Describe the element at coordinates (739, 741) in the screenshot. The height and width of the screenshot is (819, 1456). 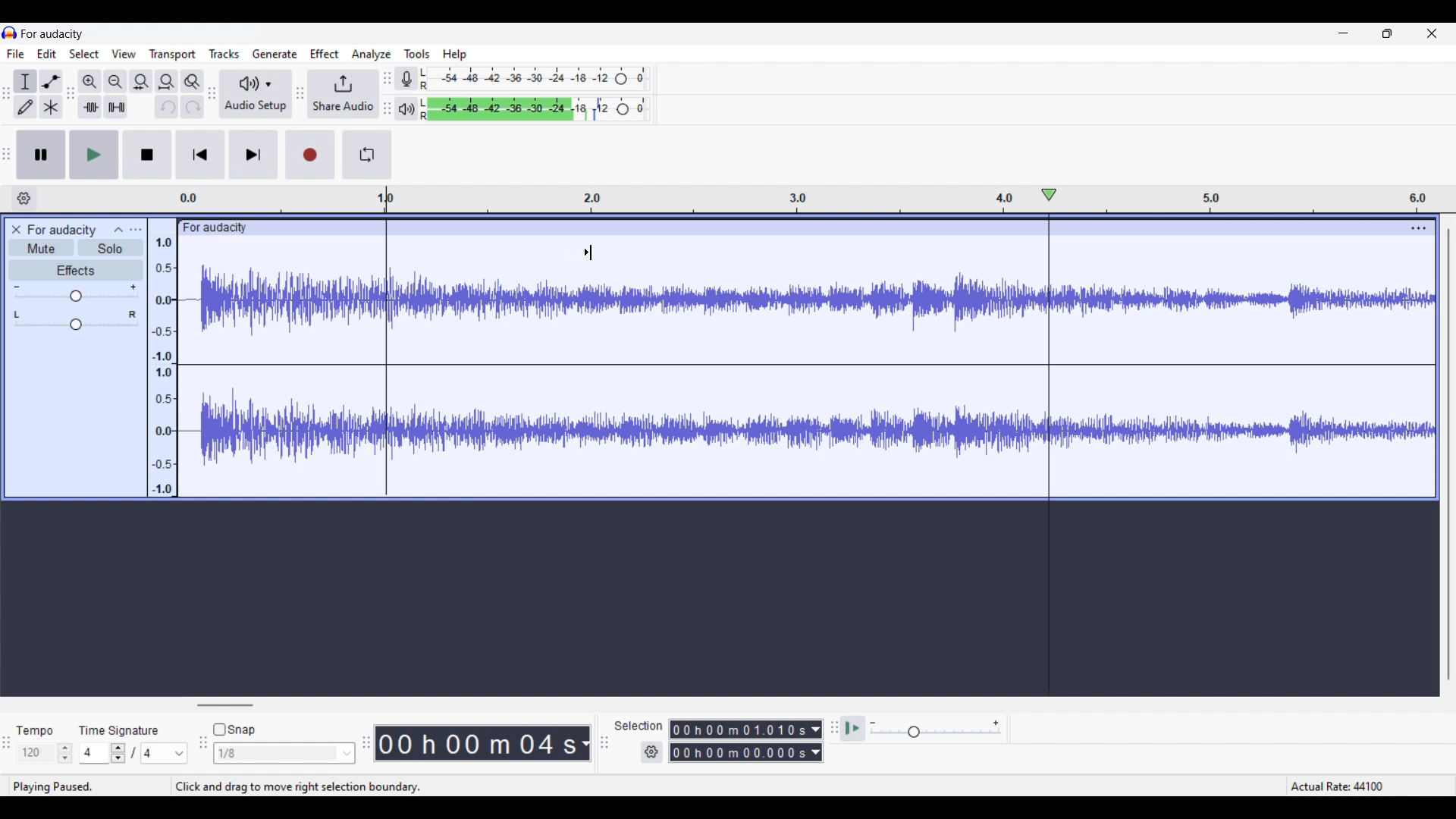
I see `0 0 h 0 0 m 0 0 0 0 0 s     0 0 h 02 m 1 3 0 6 8 s` at that location.